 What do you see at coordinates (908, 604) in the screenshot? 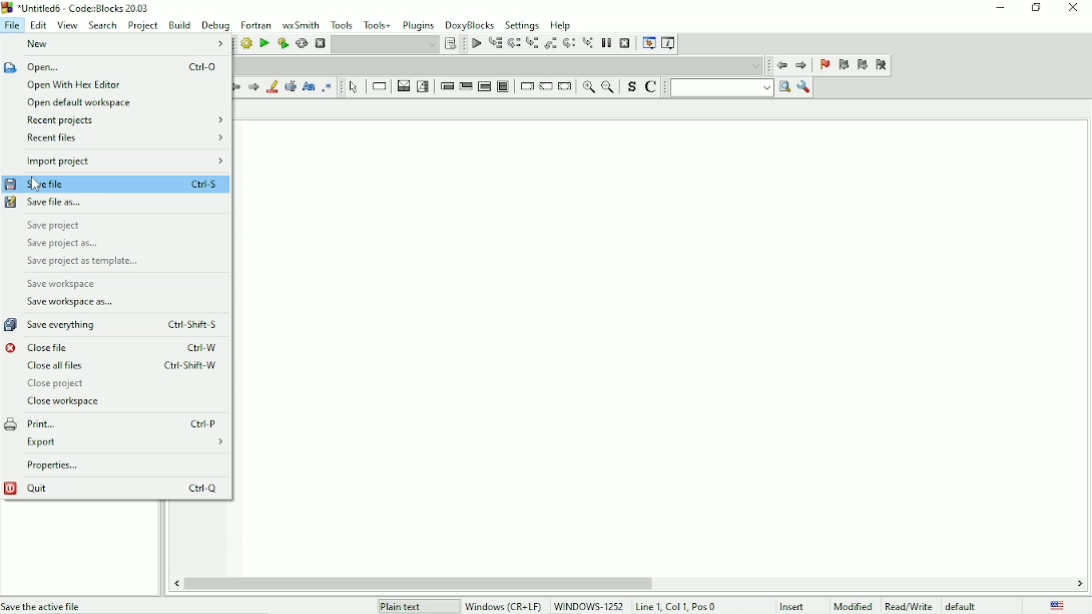
I see `Read/Write` at bounding box center [908, 604].